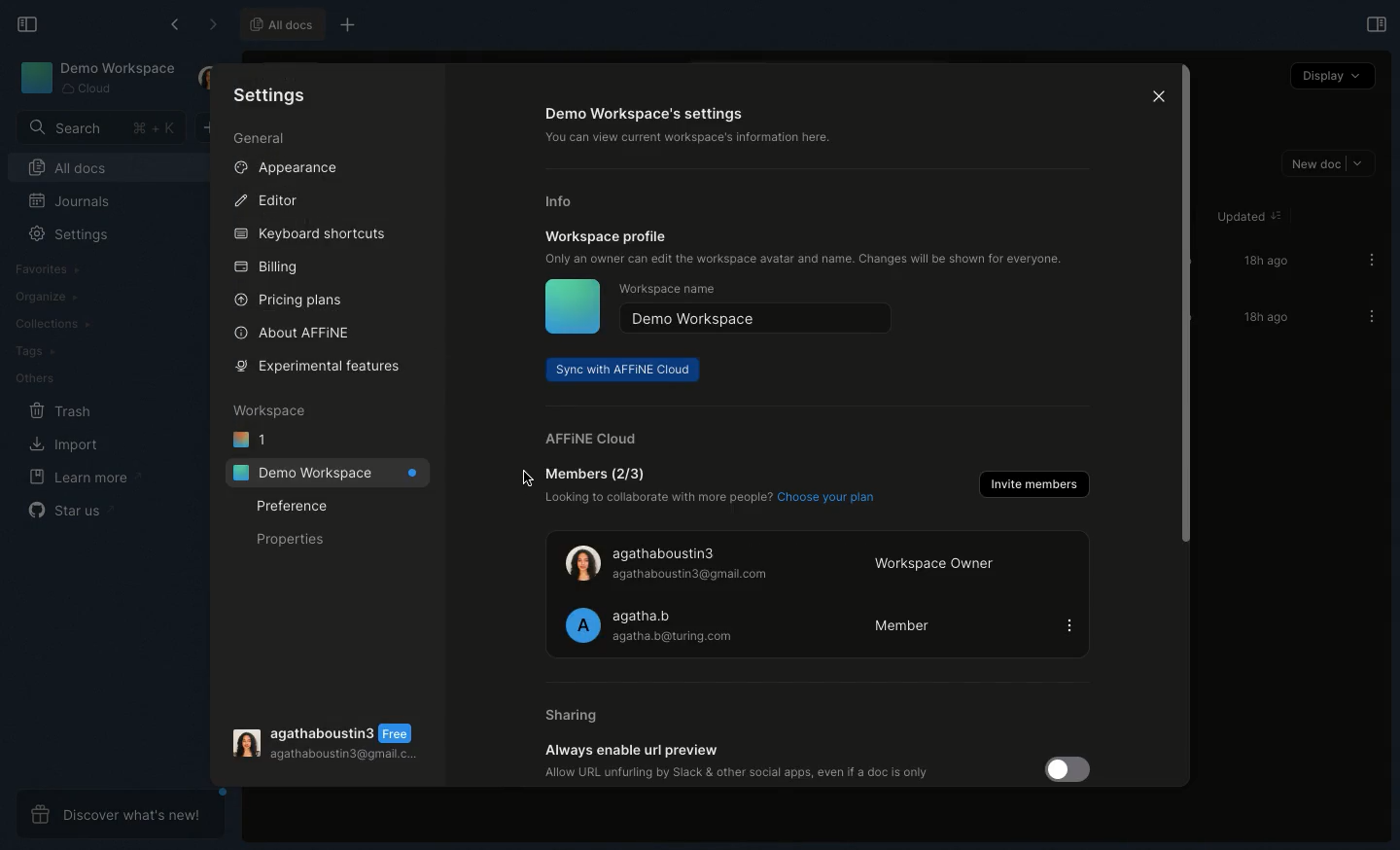 The width and height of the screenshot is (1400, 850). I want to click on Workspace, so click(269, 409).